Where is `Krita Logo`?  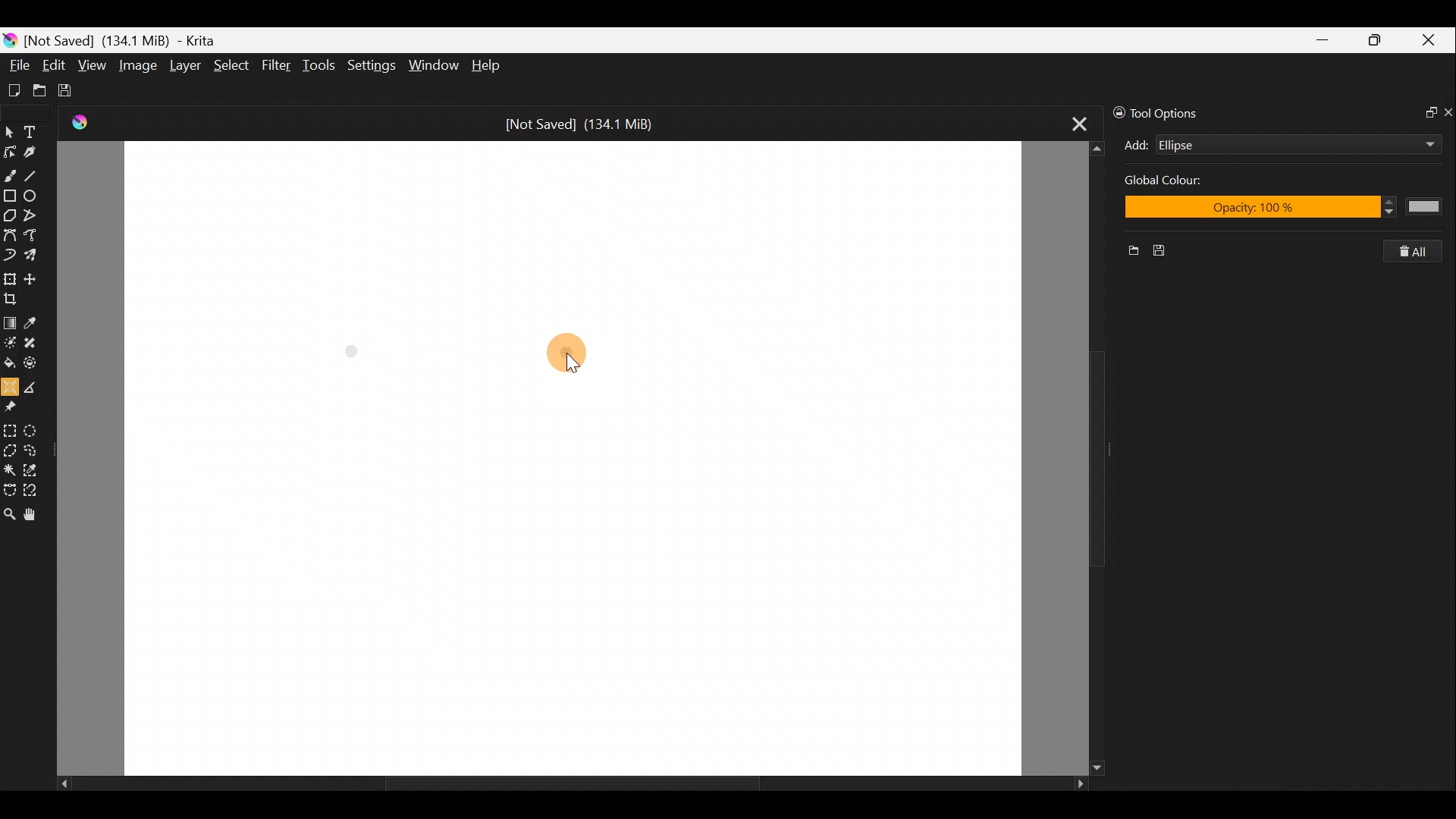 Krita Logo is located at coordinates (77, 123).